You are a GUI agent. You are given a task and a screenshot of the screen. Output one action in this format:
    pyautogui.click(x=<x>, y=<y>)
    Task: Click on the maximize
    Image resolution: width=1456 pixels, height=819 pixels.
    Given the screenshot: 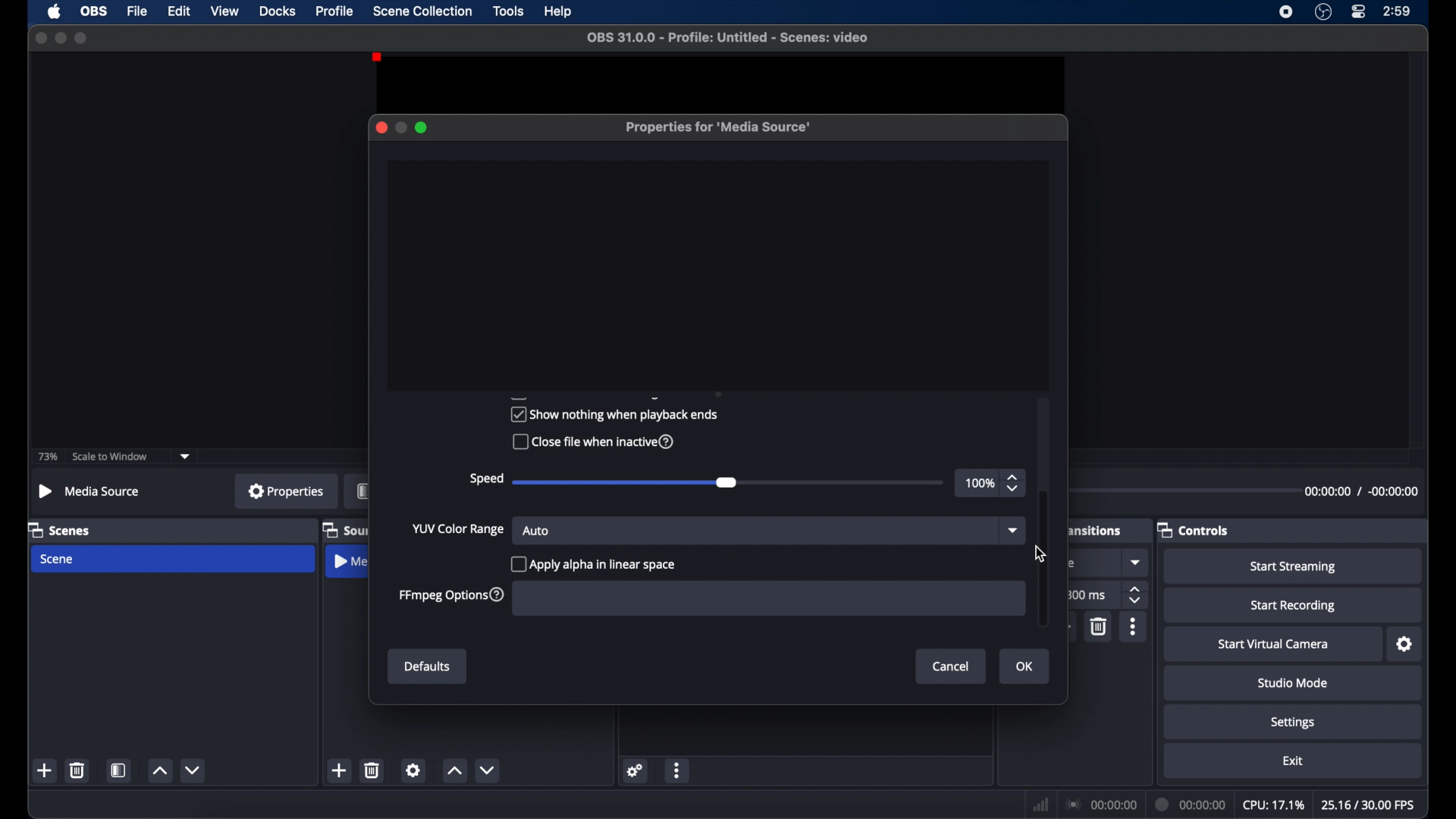 What is the action you would take?
    pyautogui.click(x=81, y=38)
    